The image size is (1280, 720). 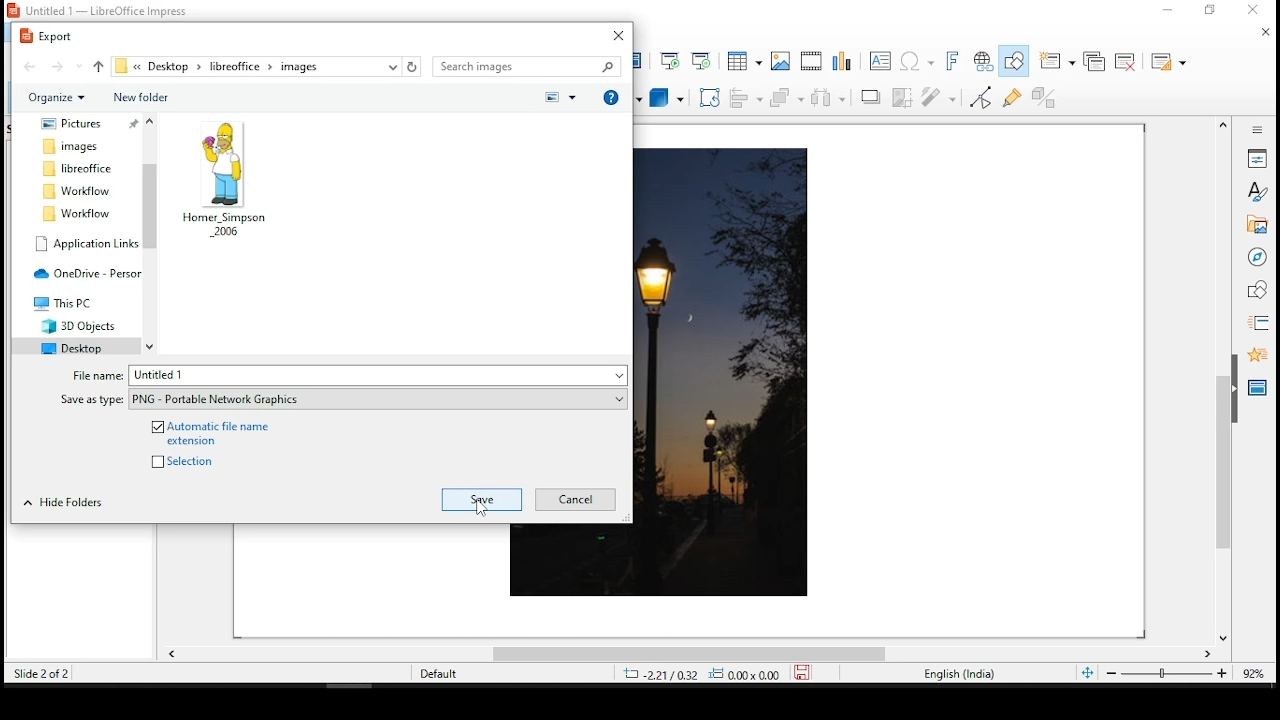 I want to click on refresh, so click(x=413, y=66).